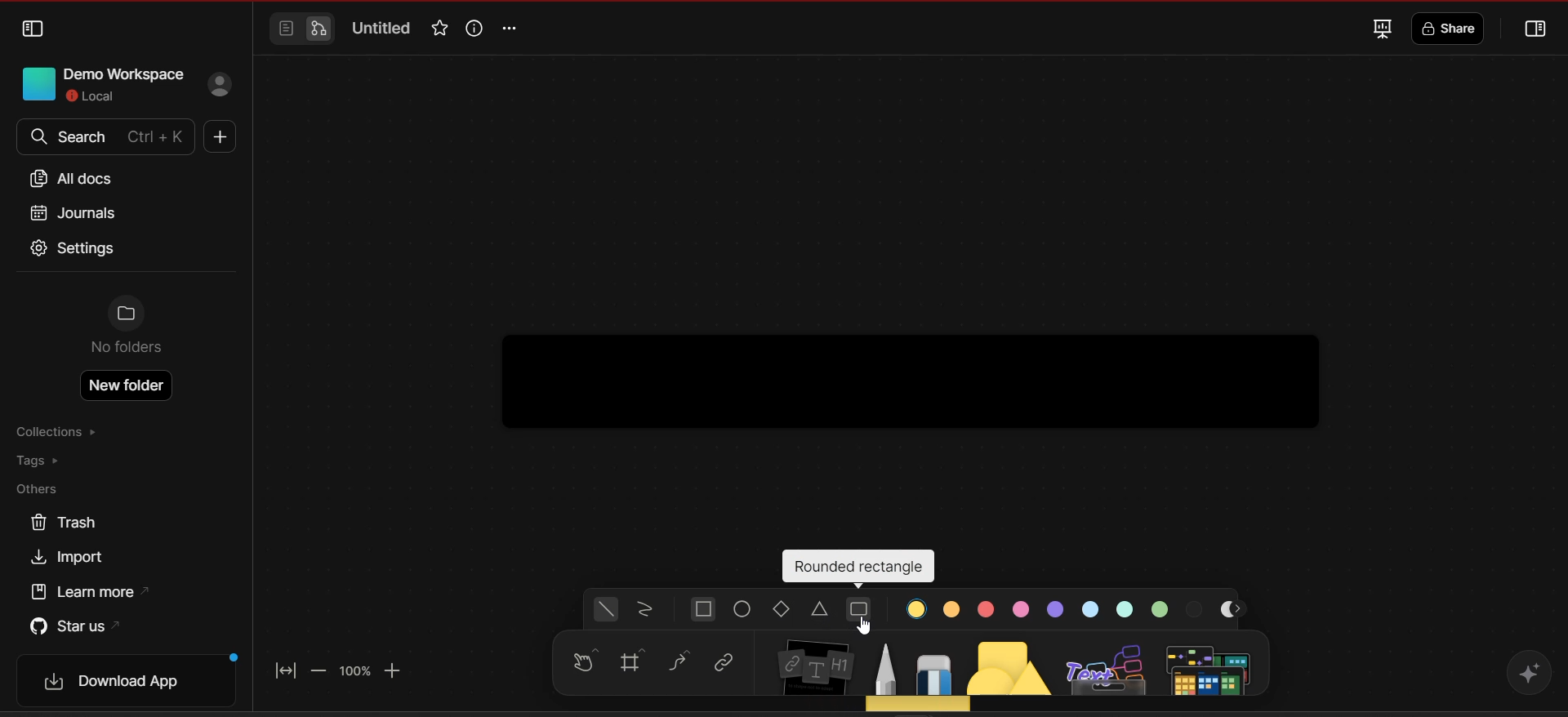  Describe the element at coordinates (95, 592) in the screenshot. I see `learn more` at that location.